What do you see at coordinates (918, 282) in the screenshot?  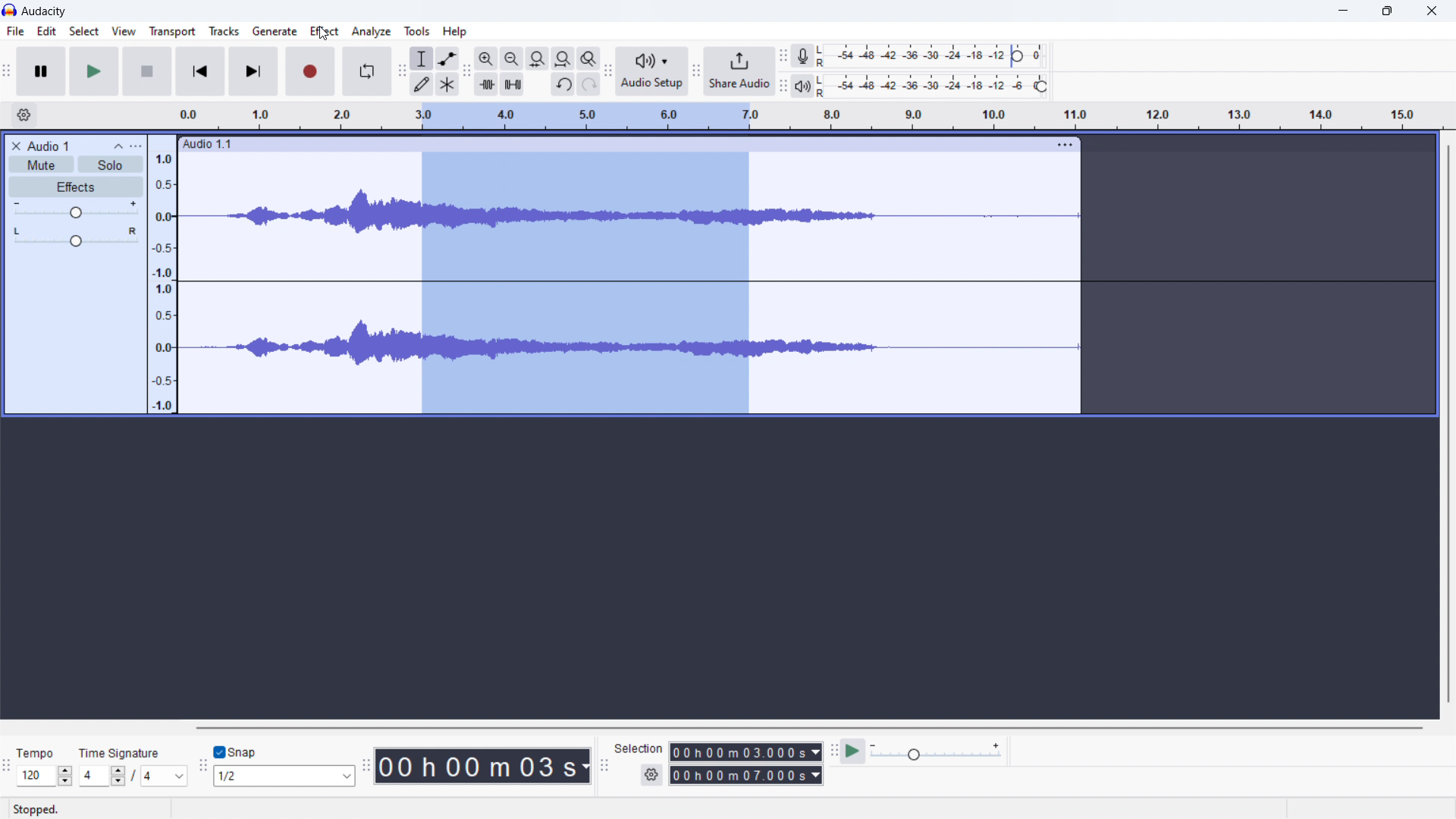 I see `track selected` at bounding box center [918, 282].